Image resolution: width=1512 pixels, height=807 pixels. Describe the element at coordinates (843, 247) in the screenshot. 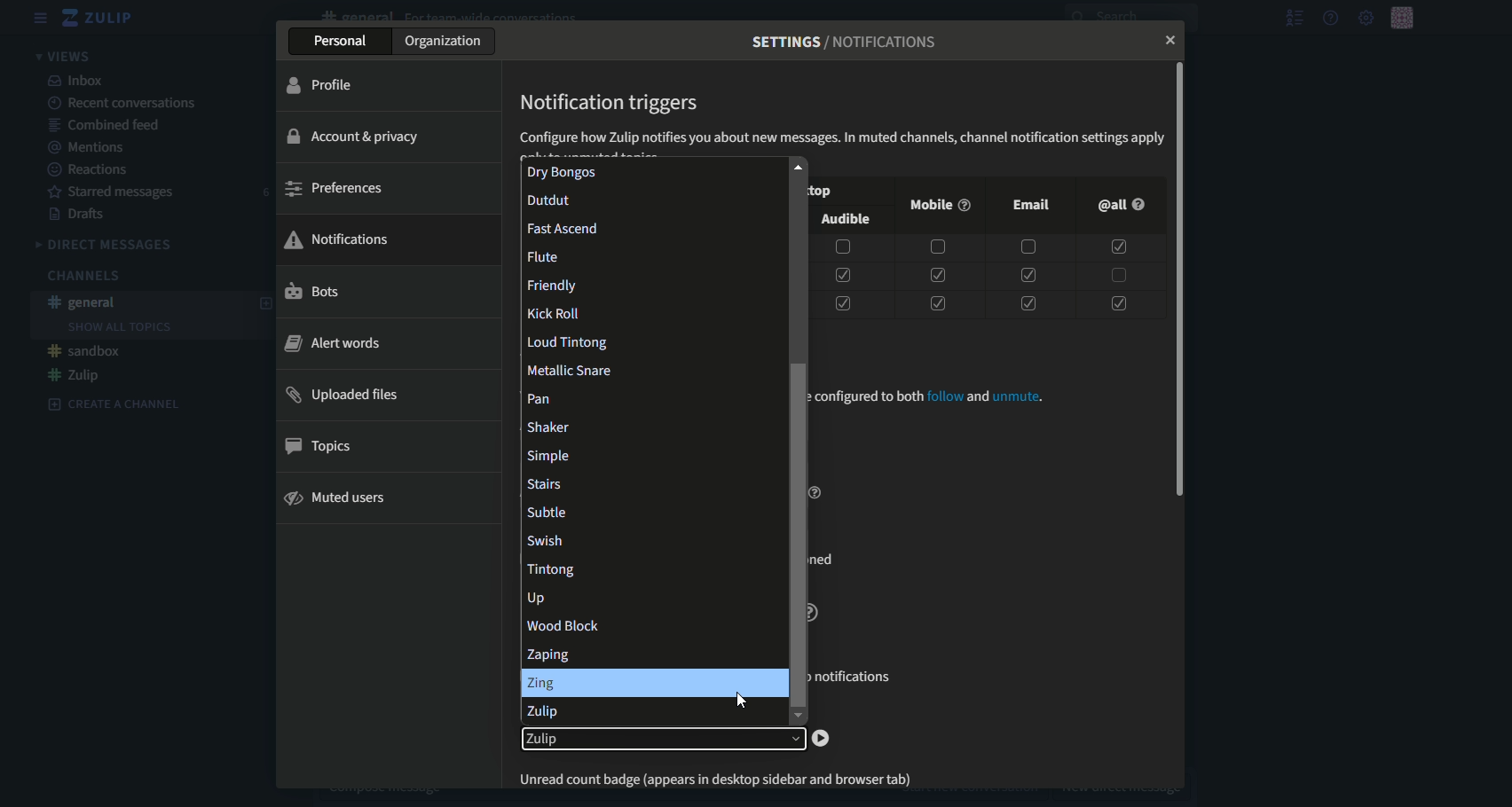

I see `checkbox` at that location.